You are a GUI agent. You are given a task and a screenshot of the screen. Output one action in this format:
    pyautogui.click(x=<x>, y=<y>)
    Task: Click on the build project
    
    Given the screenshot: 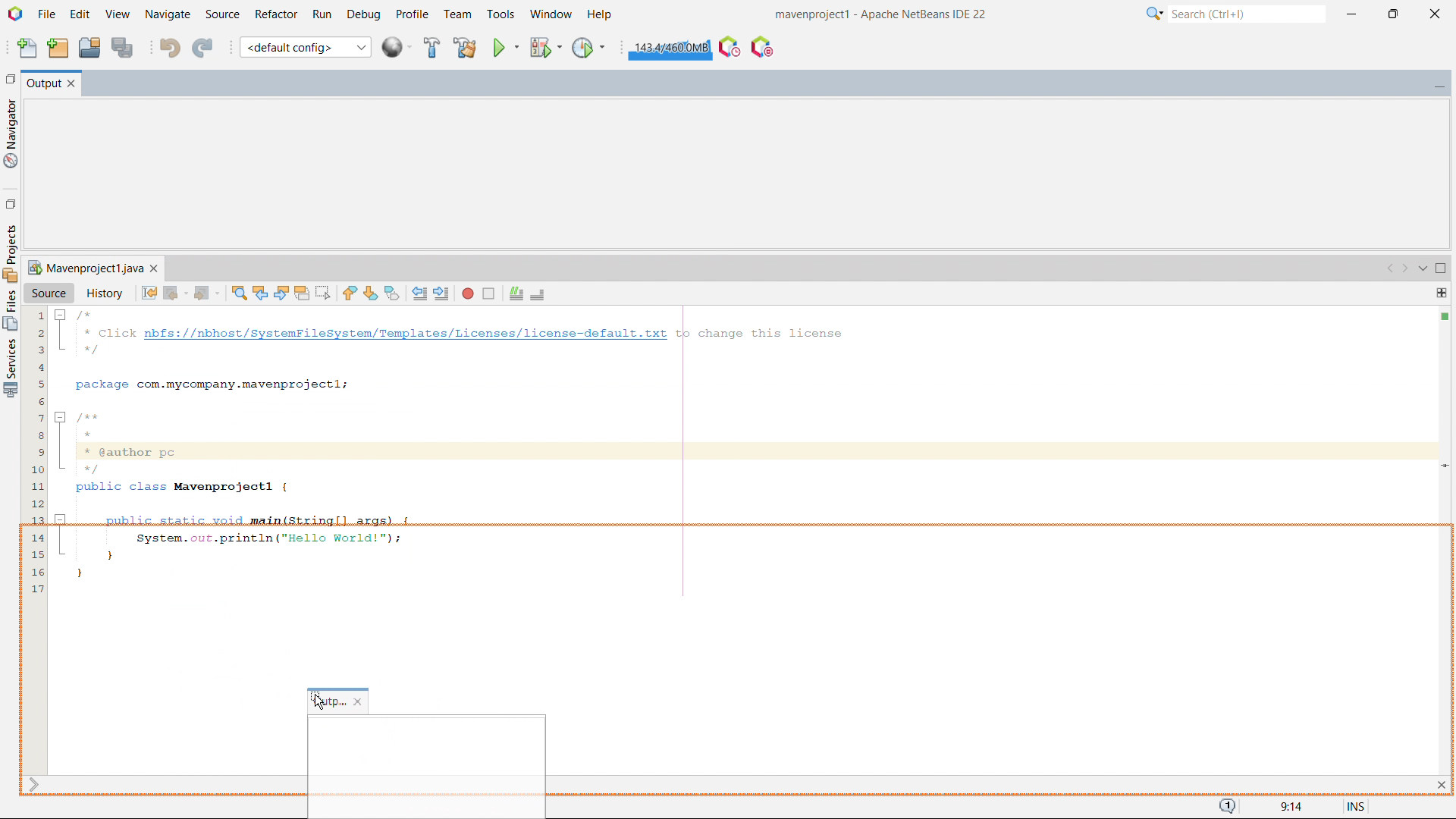 What is the action you would take?
    pyautogui.click(x=431, y=48)
    